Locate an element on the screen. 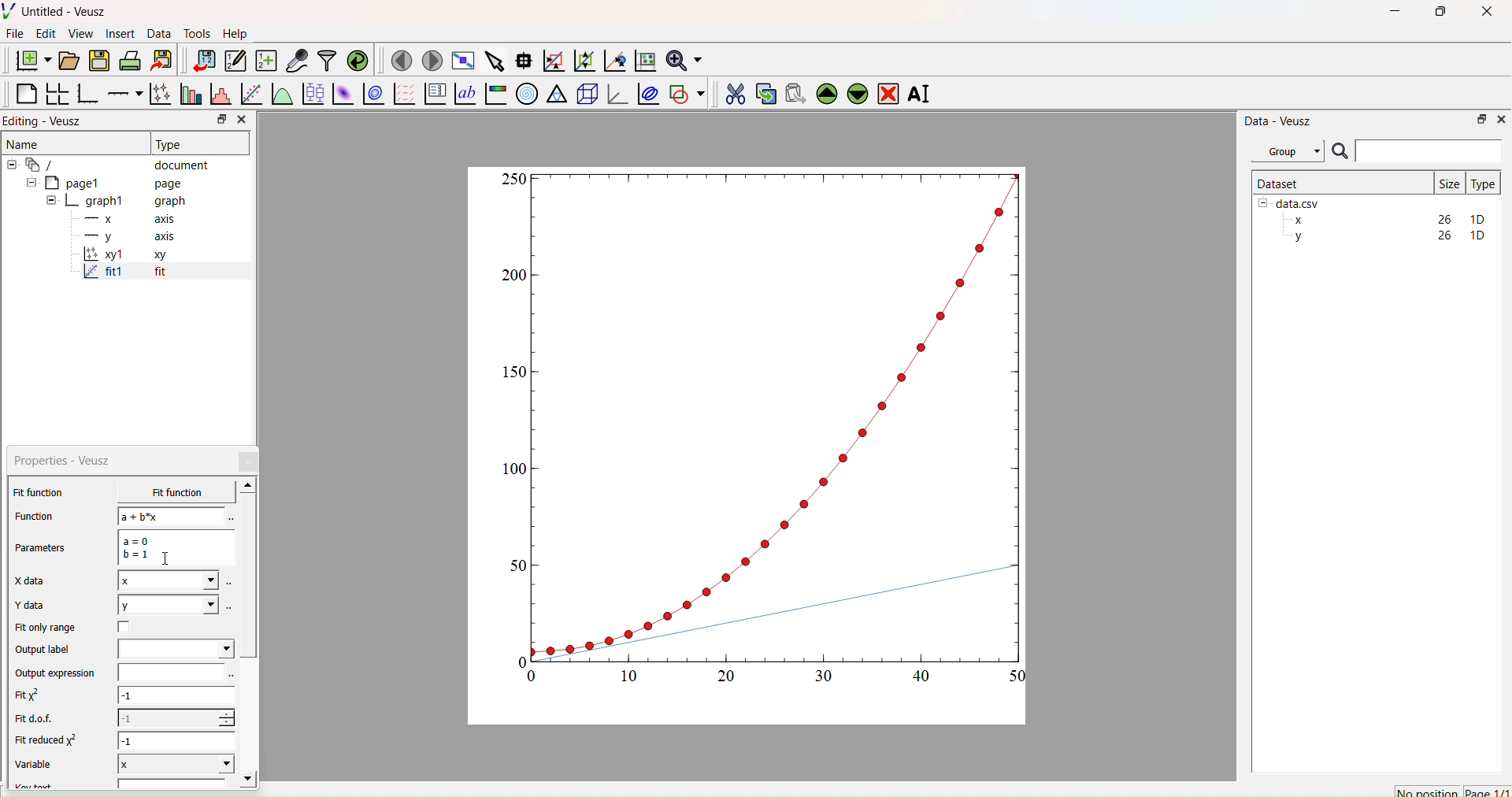 The width and height of the screenshot is (1512, 797). Close is located at coordinates (250, 462).